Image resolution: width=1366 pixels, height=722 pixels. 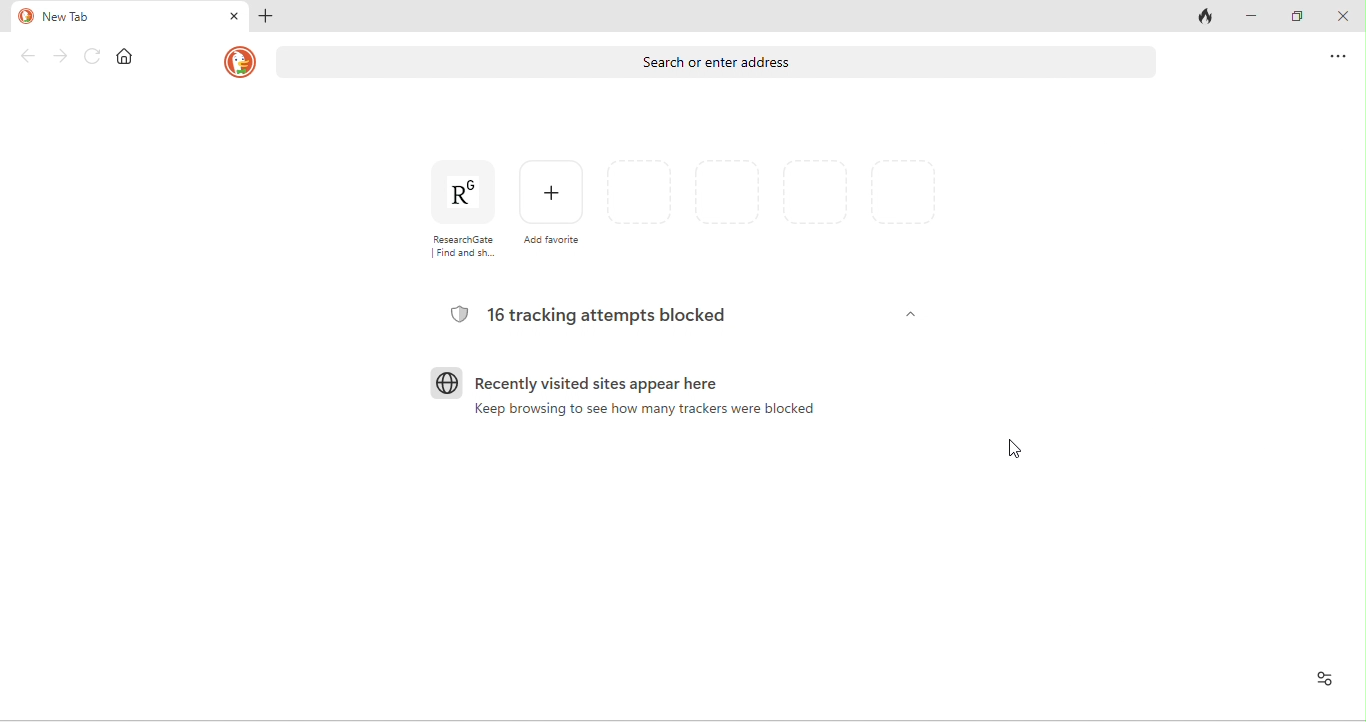 I want to click on maximize, so click(x=1302, y=18).